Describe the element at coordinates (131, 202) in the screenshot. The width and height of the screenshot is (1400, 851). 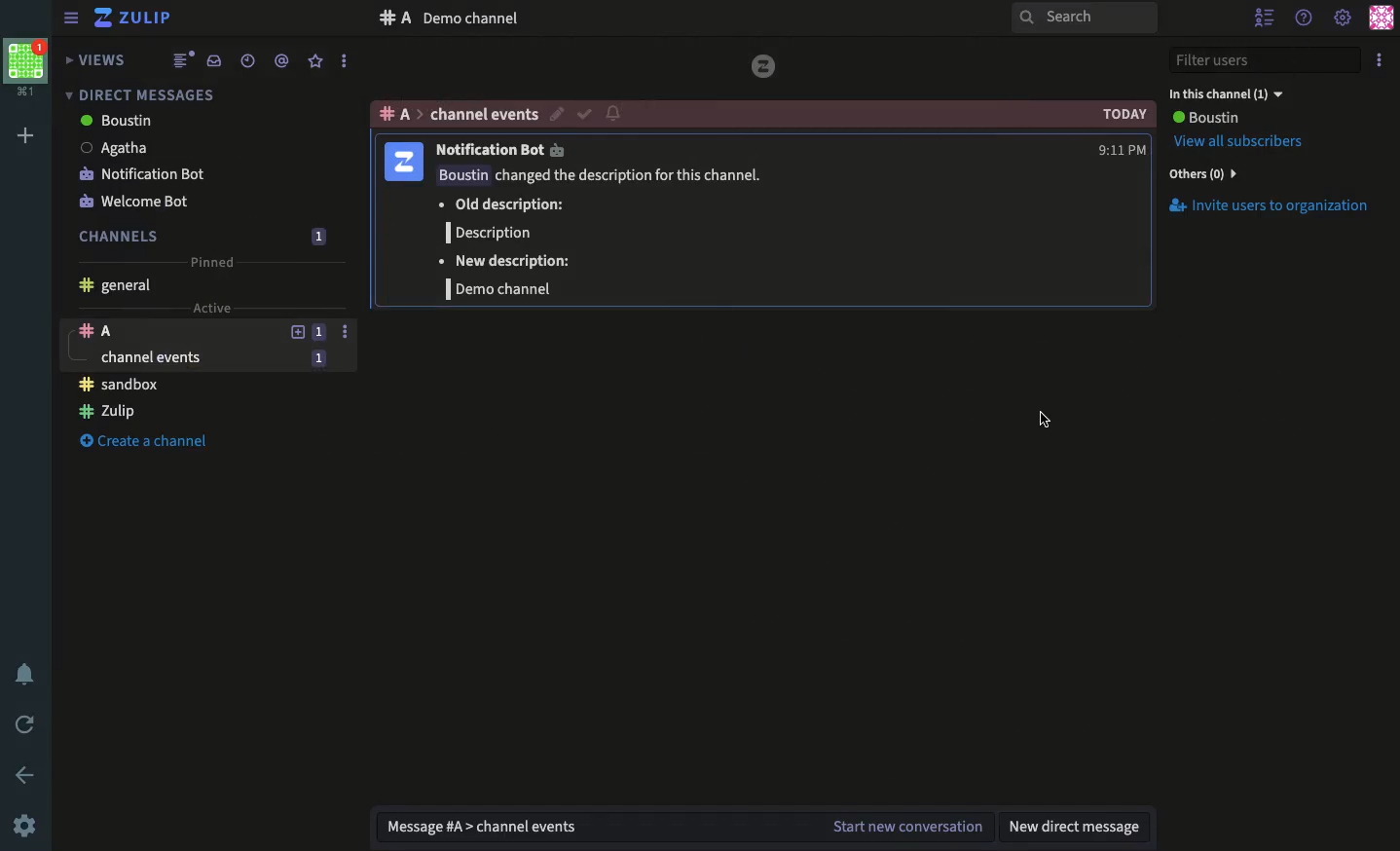
I see `Welcome bot` at that location.